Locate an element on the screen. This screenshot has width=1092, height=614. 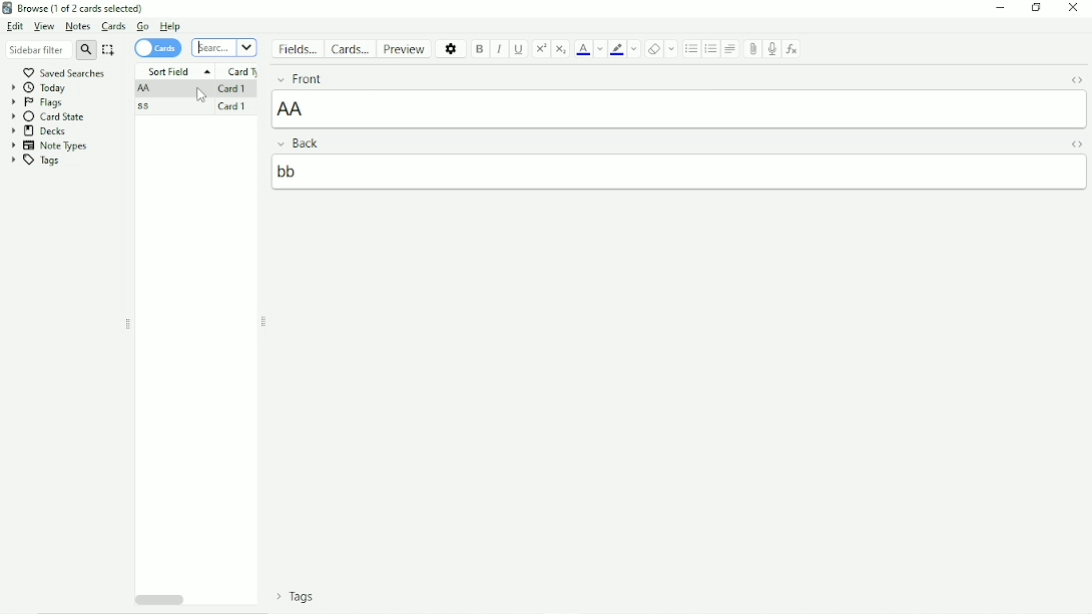
Cursor is located at coordinates (201, 96).